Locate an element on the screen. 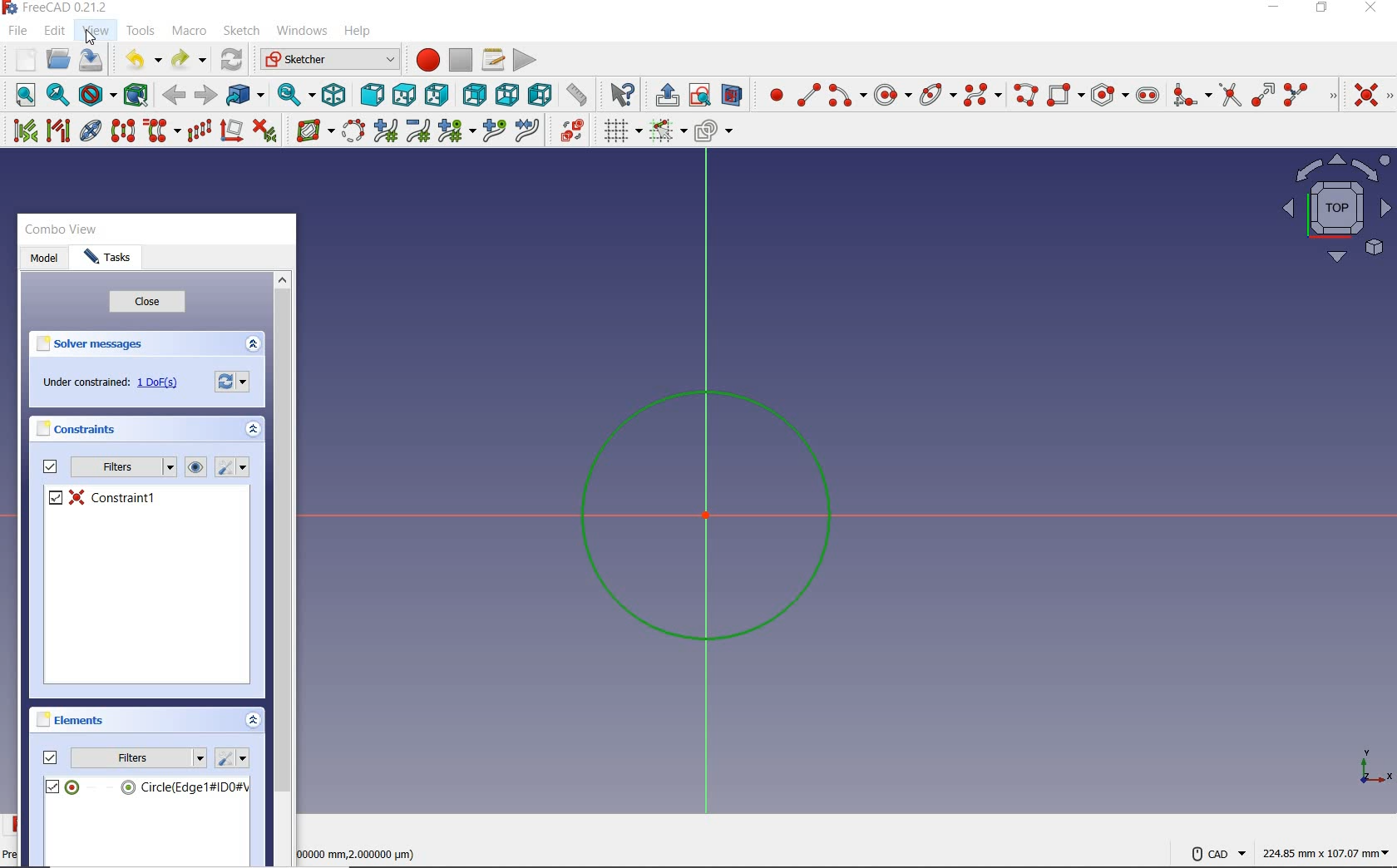 Image resolution: width=1397 pixels, height=868 pixels. collapse is located at coordinates (254, 344).